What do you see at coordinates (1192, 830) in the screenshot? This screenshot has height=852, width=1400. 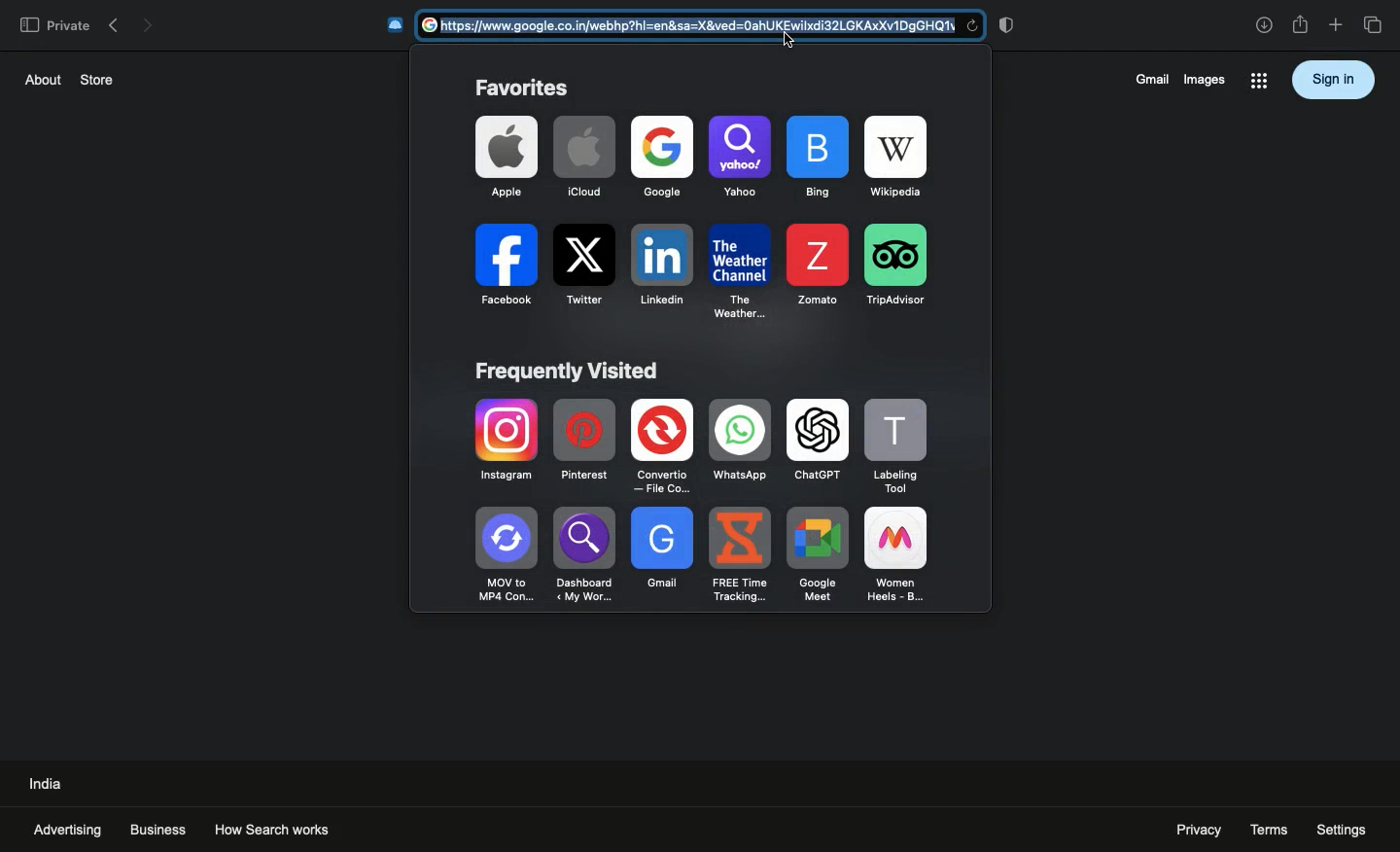 I see `privacy` at bounding box center [1192, 830].